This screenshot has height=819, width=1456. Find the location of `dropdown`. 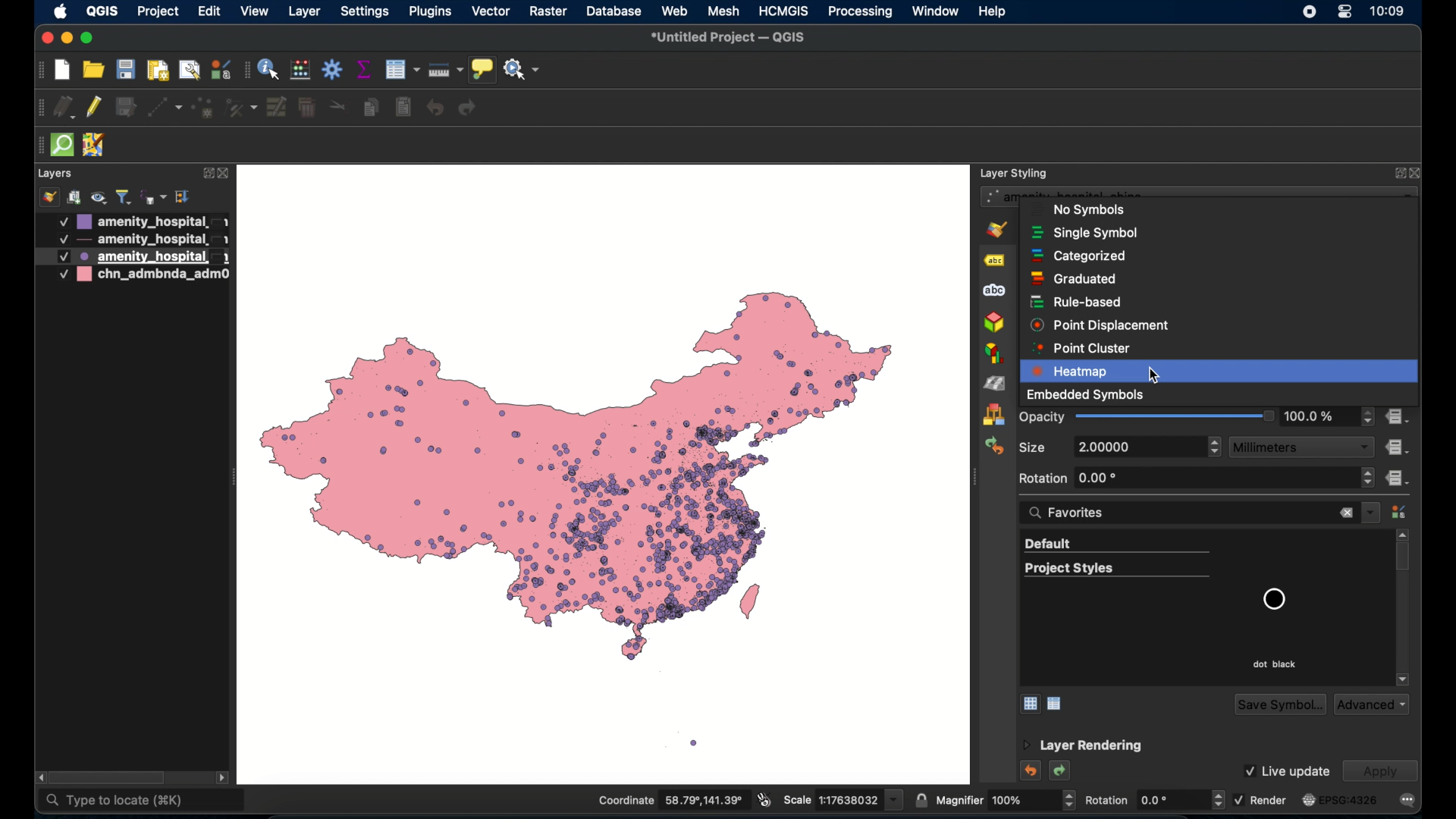

dropdown is located at coordinates (1372, 513).